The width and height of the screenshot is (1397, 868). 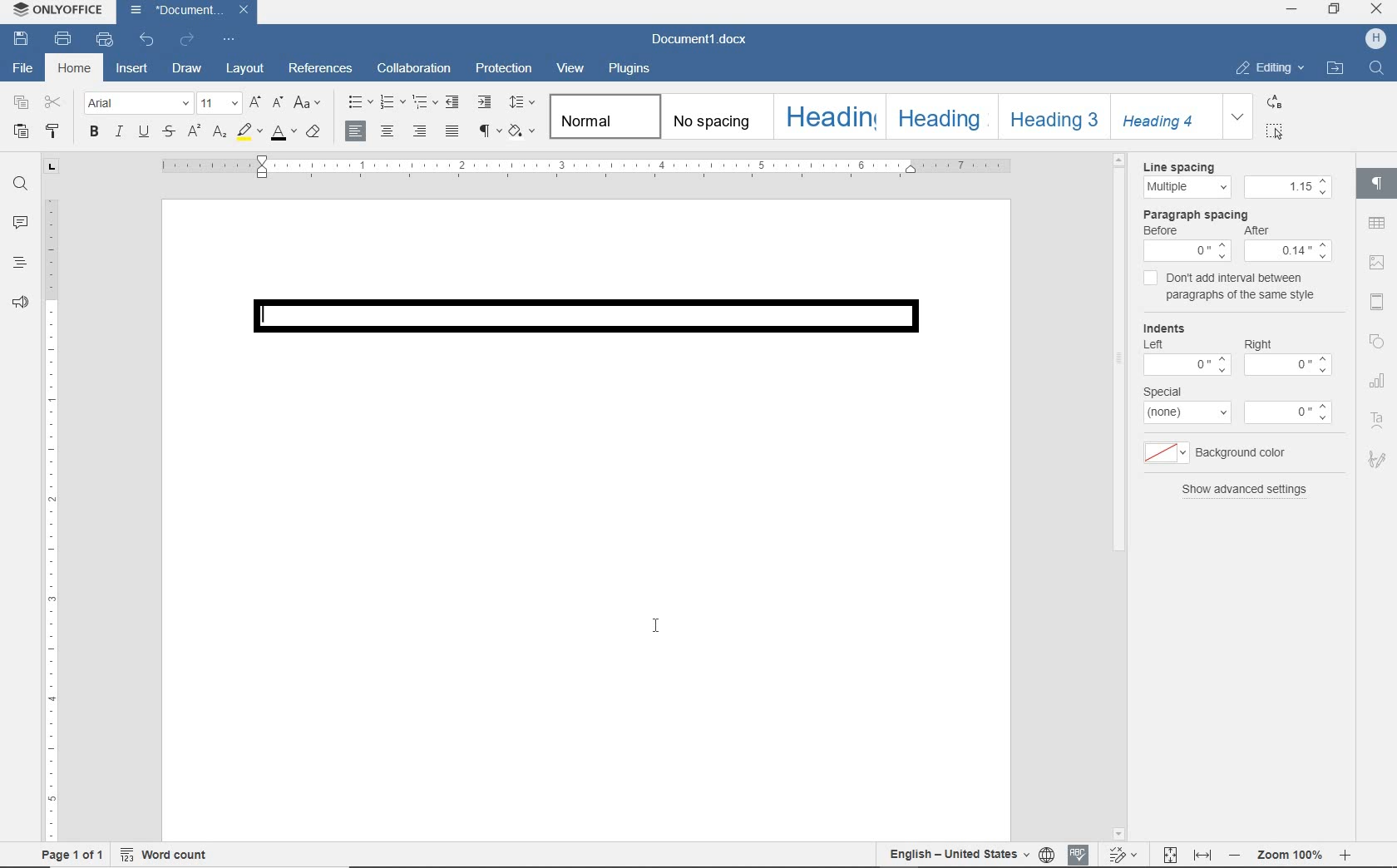 I want to click on bold, so click(x=94, y=134).